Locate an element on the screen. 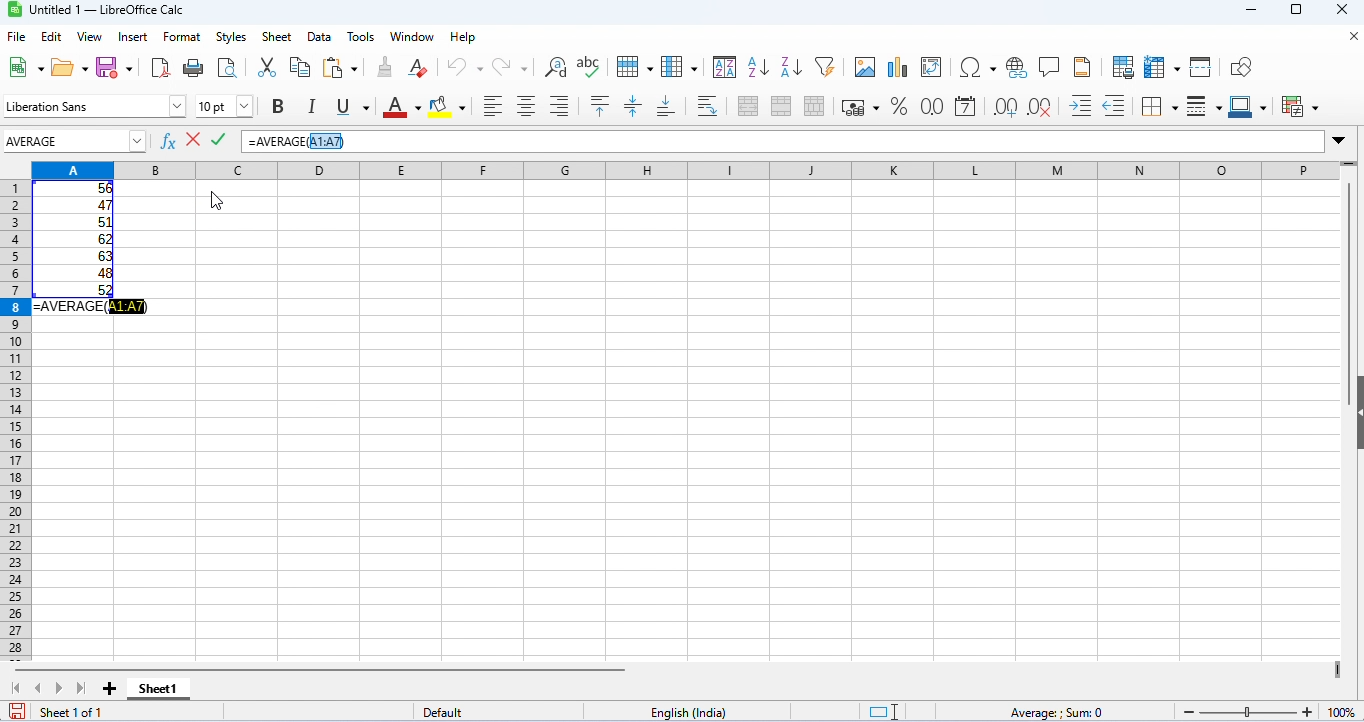 This screenshot has height=722, width=1364. styles is located at coordinates (231, 37).